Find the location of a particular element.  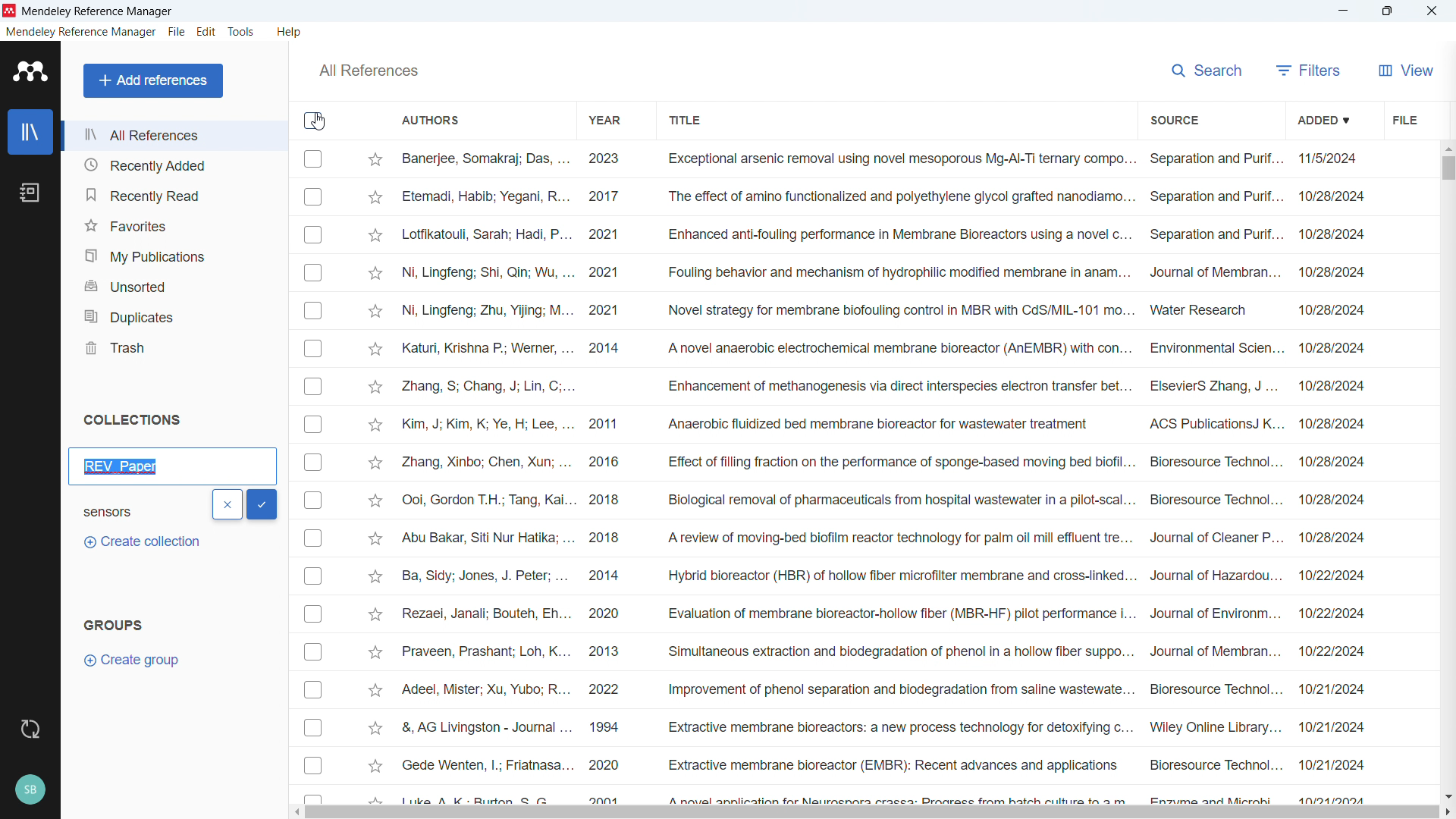

Scroll right  is located at coordinates (1447, 812).